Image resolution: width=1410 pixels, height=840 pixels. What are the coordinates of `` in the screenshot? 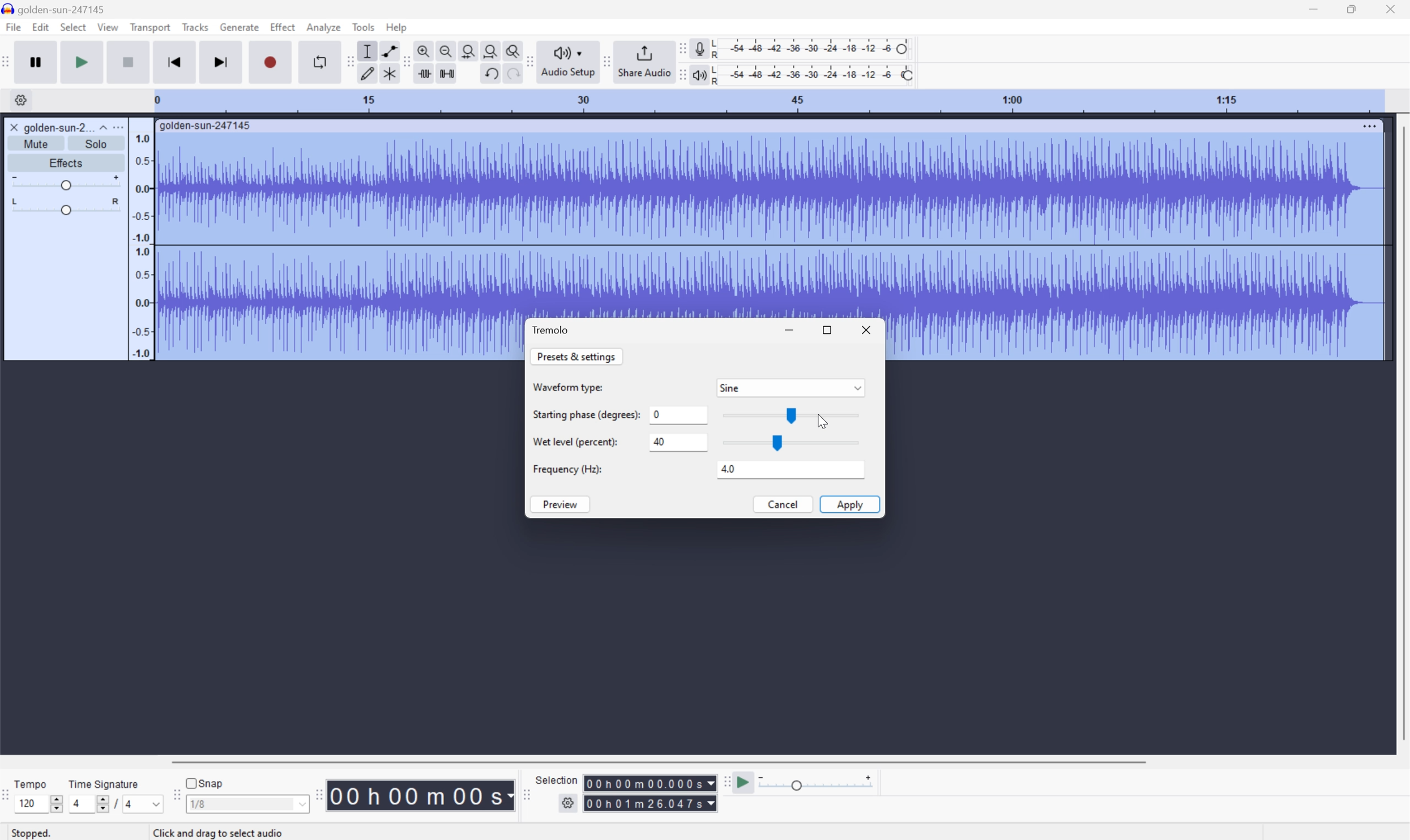 It's located at (228, 833).